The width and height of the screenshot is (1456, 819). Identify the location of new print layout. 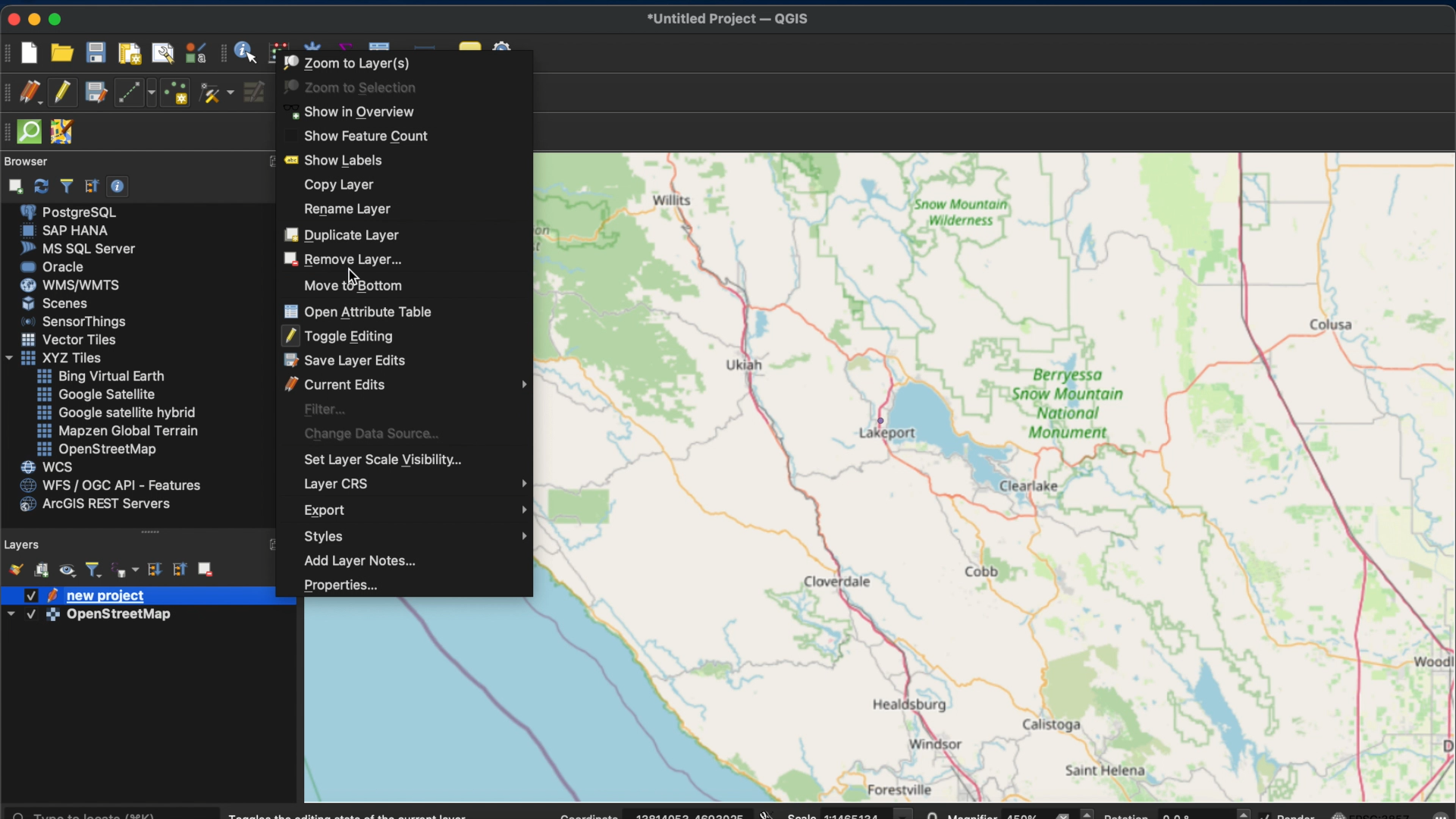
(130, 52).